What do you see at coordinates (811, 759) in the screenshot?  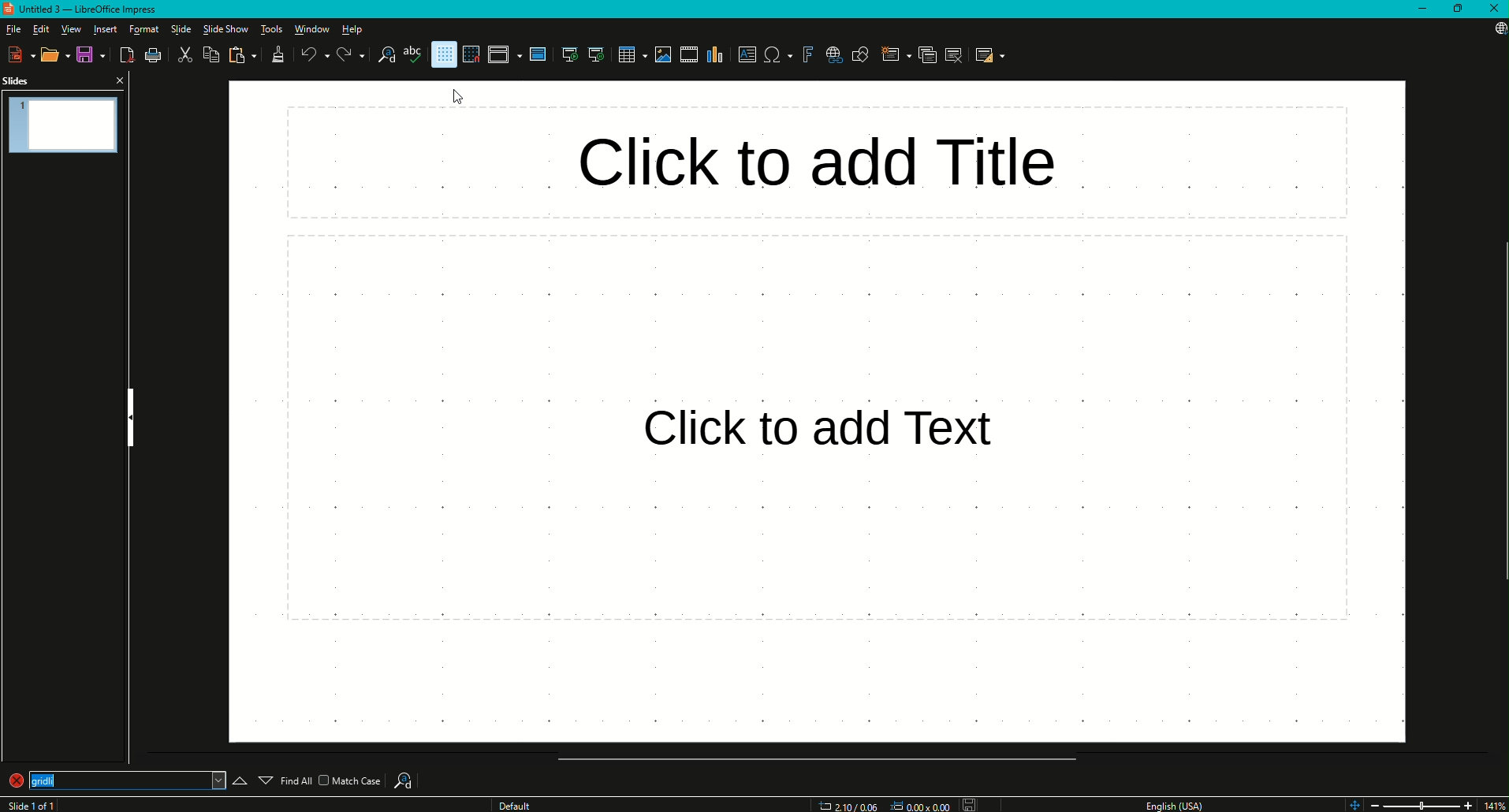 I see `Scroll` at bounding box center [811, 759].